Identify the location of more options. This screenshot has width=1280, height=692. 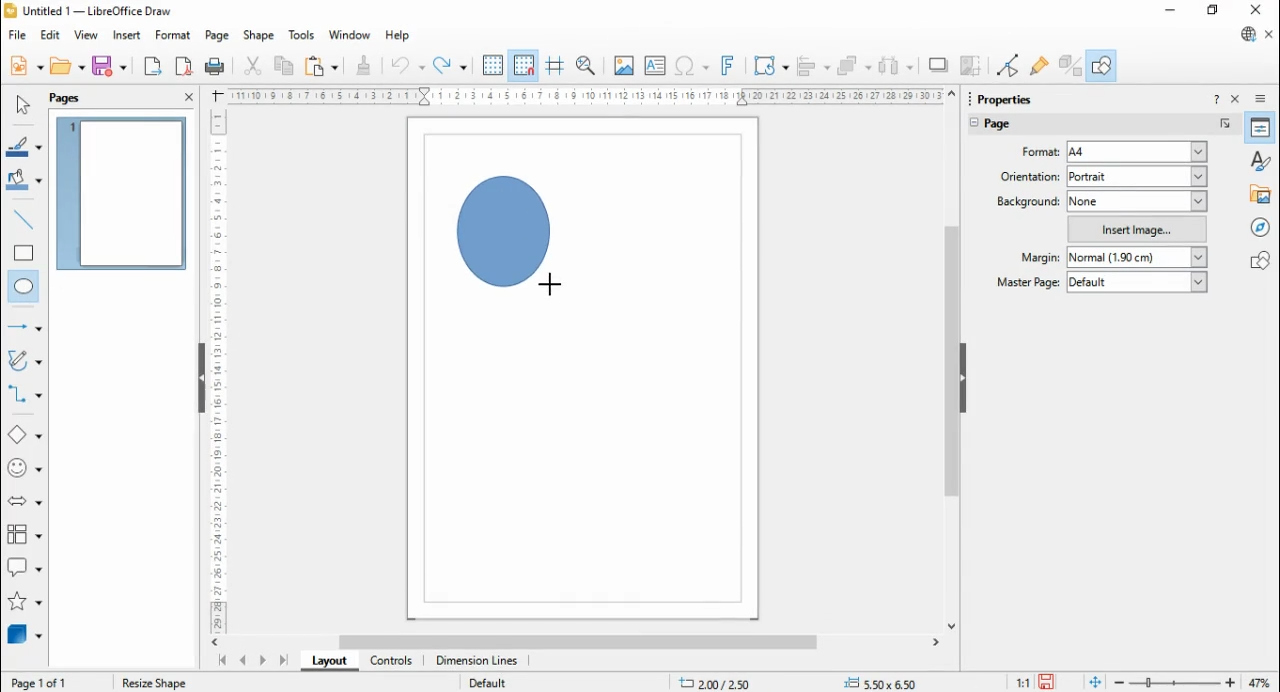
(1226, 124).